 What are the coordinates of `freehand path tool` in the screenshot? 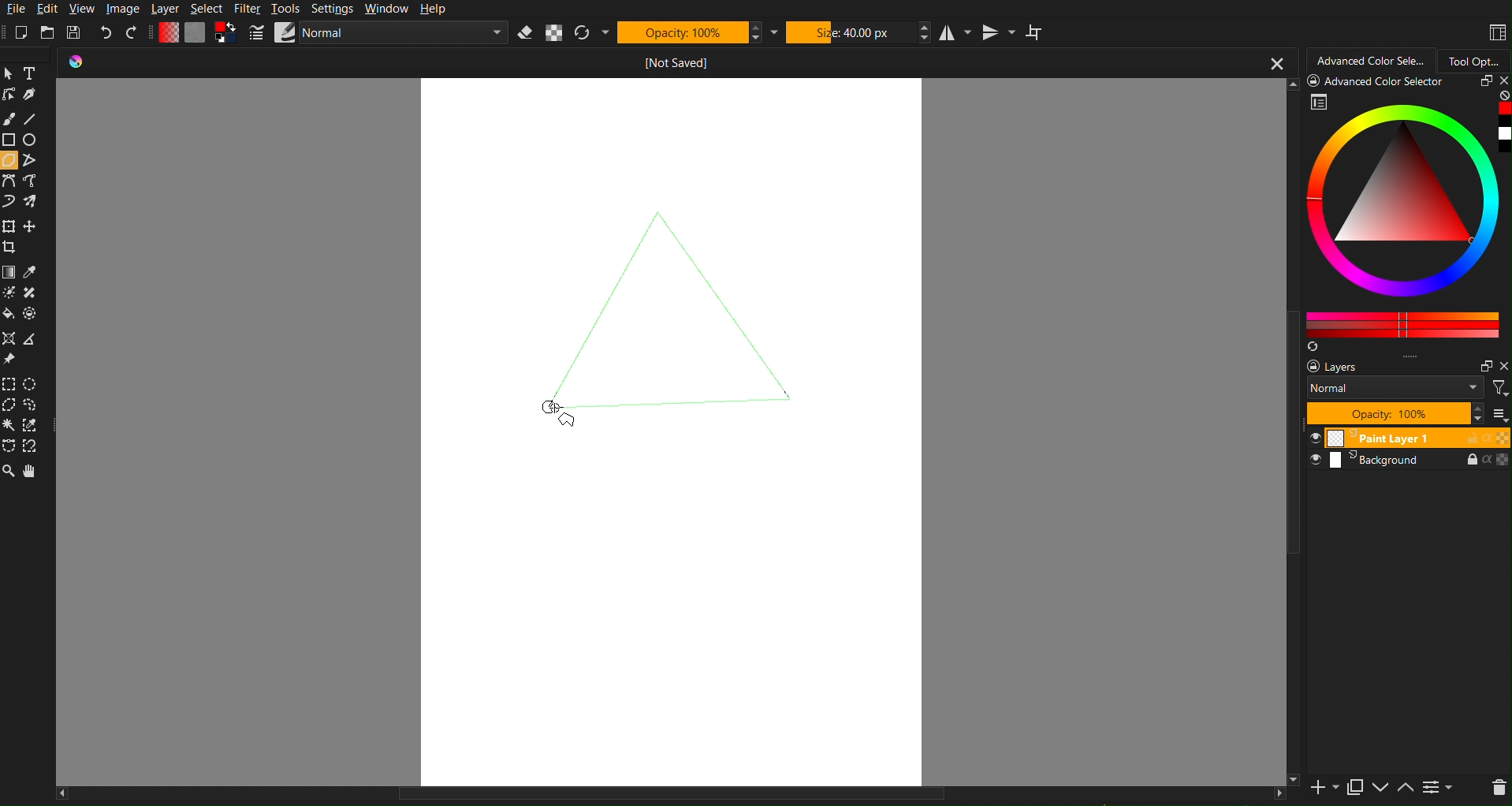 It's located at (36, 181).